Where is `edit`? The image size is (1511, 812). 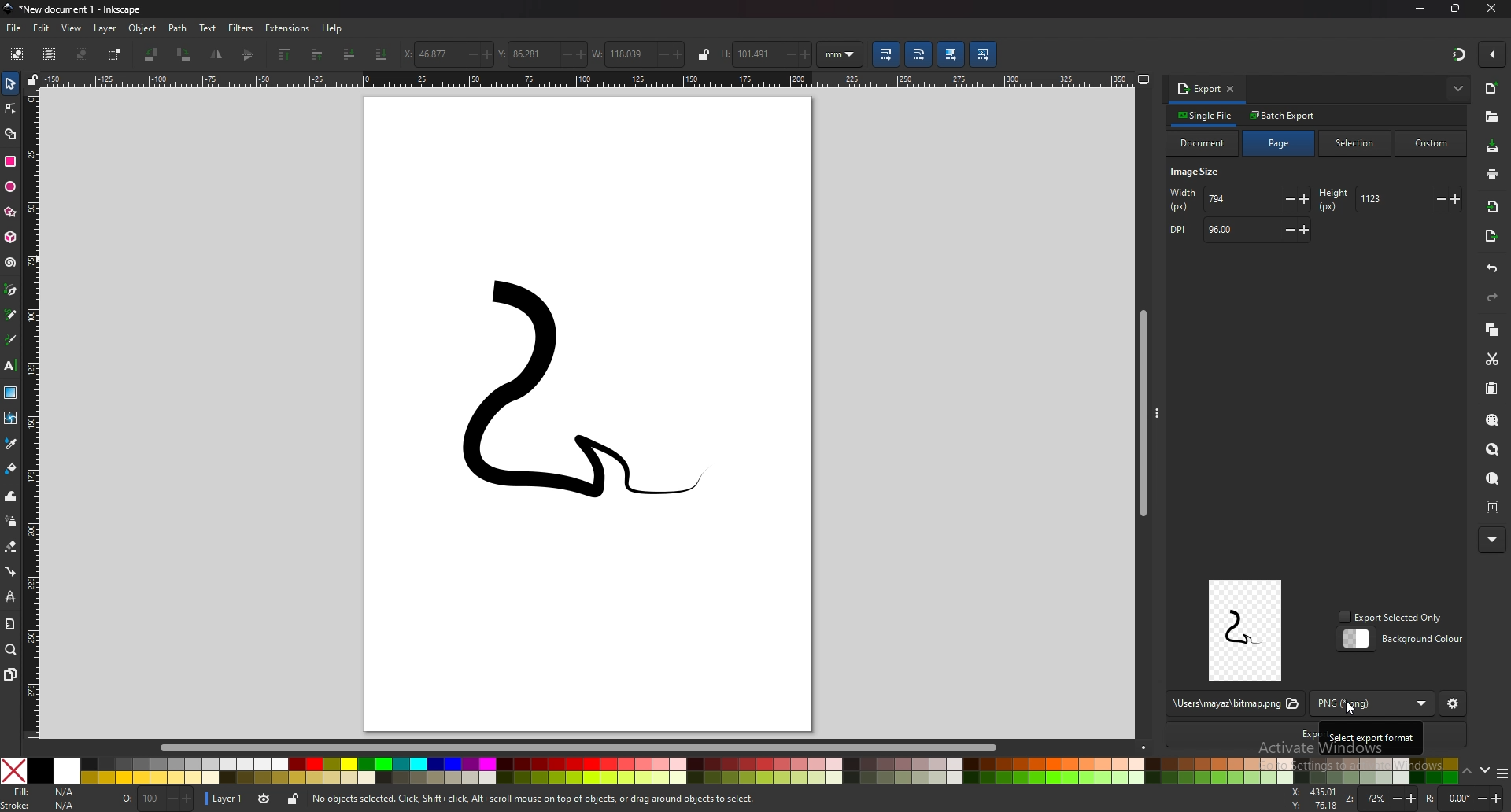
edit is located at coordinates (42, 28).